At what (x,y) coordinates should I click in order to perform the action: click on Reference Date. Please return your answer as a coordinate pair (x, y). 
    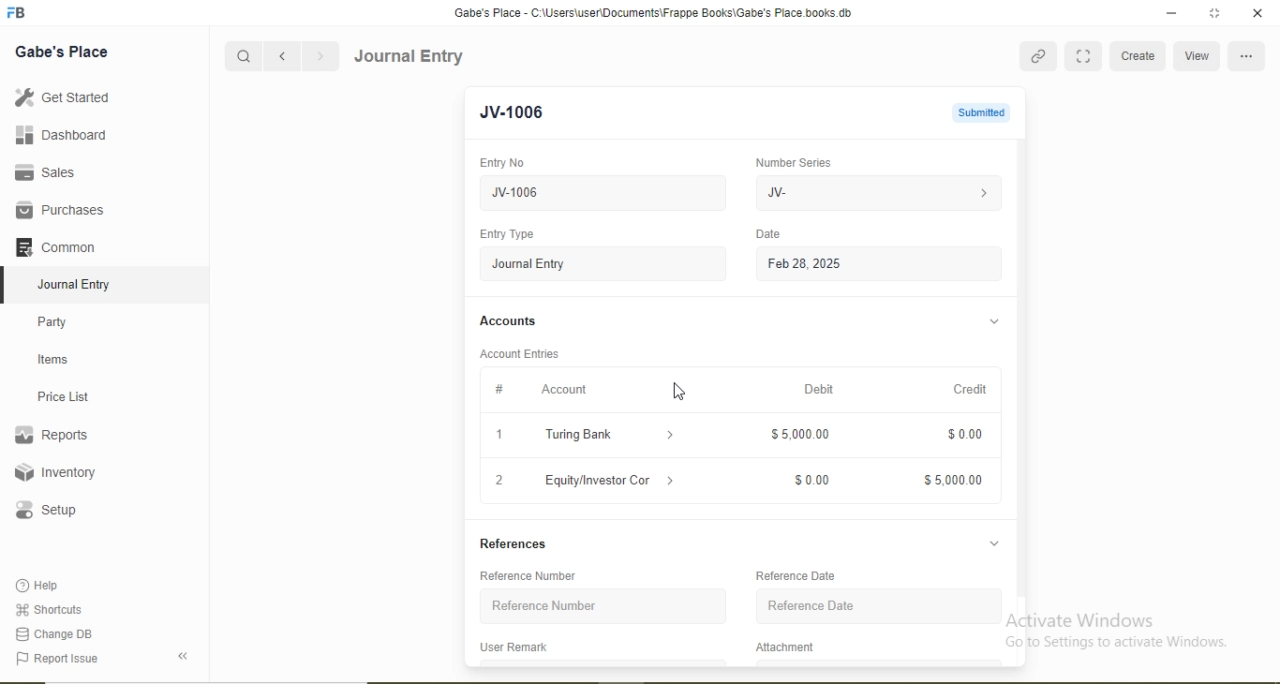
    Looking at the image, I should click on (795, 576).